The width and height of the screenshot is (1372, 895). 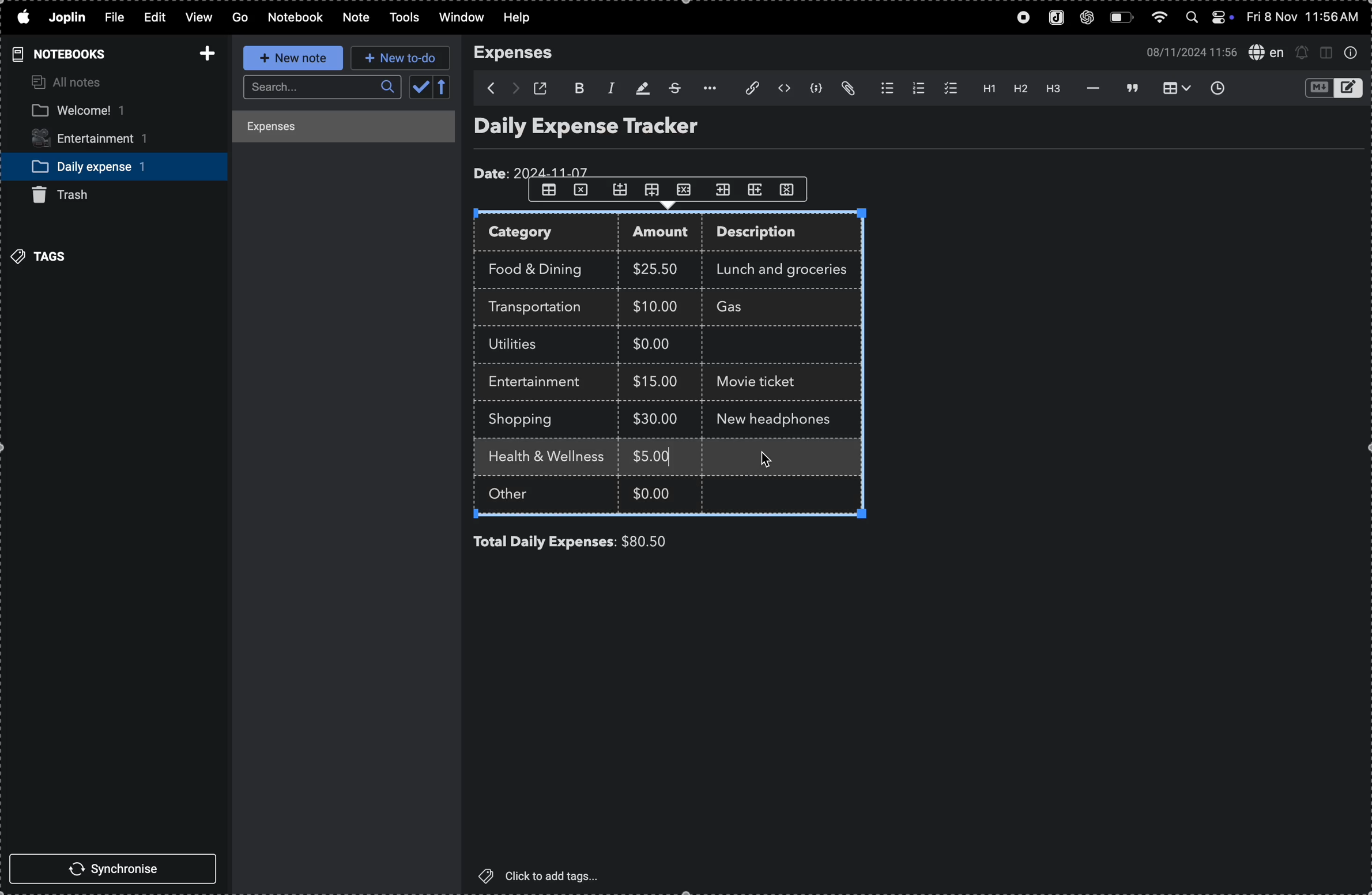 What do you see at coordinates (659, 269) in the screenshot?
I see `$25.00` at bounding box center [659, 269].